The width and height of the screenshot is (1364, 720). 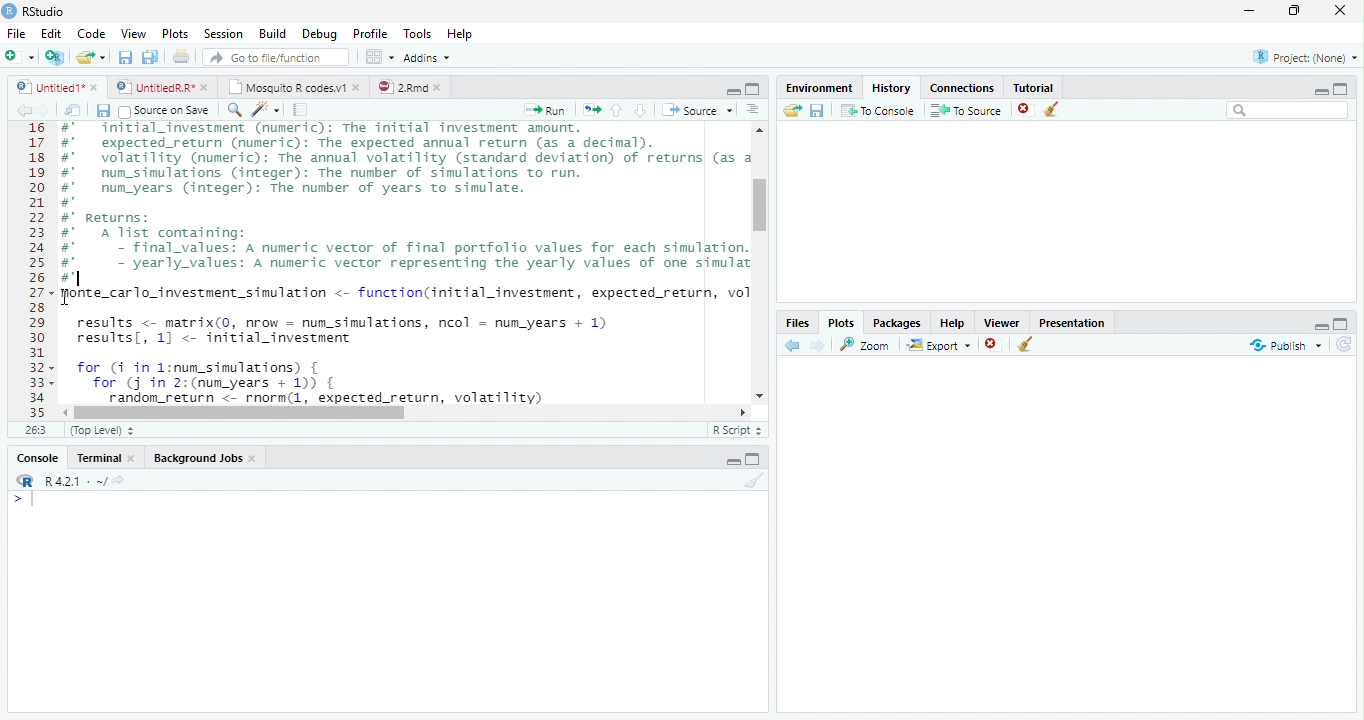 What do you see at coordinates (162, 87) in the screenshot?
I see `styedi® © © Untite` at bounding box center [162, 87].